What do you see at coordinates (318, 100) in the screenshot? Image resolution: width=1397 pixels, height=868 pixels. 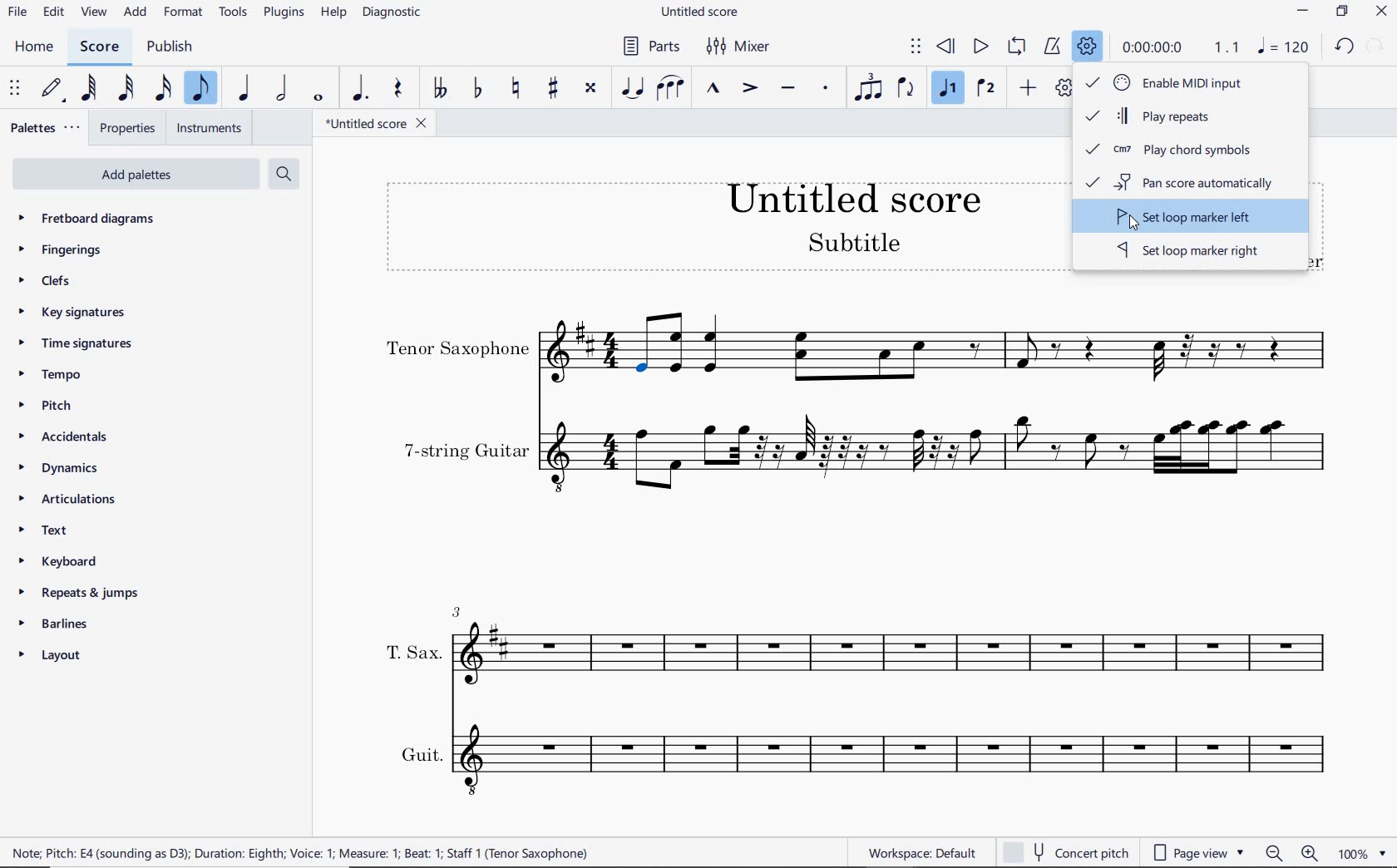 I see `WHOLE NOTE` at bounding box center [318, 100].